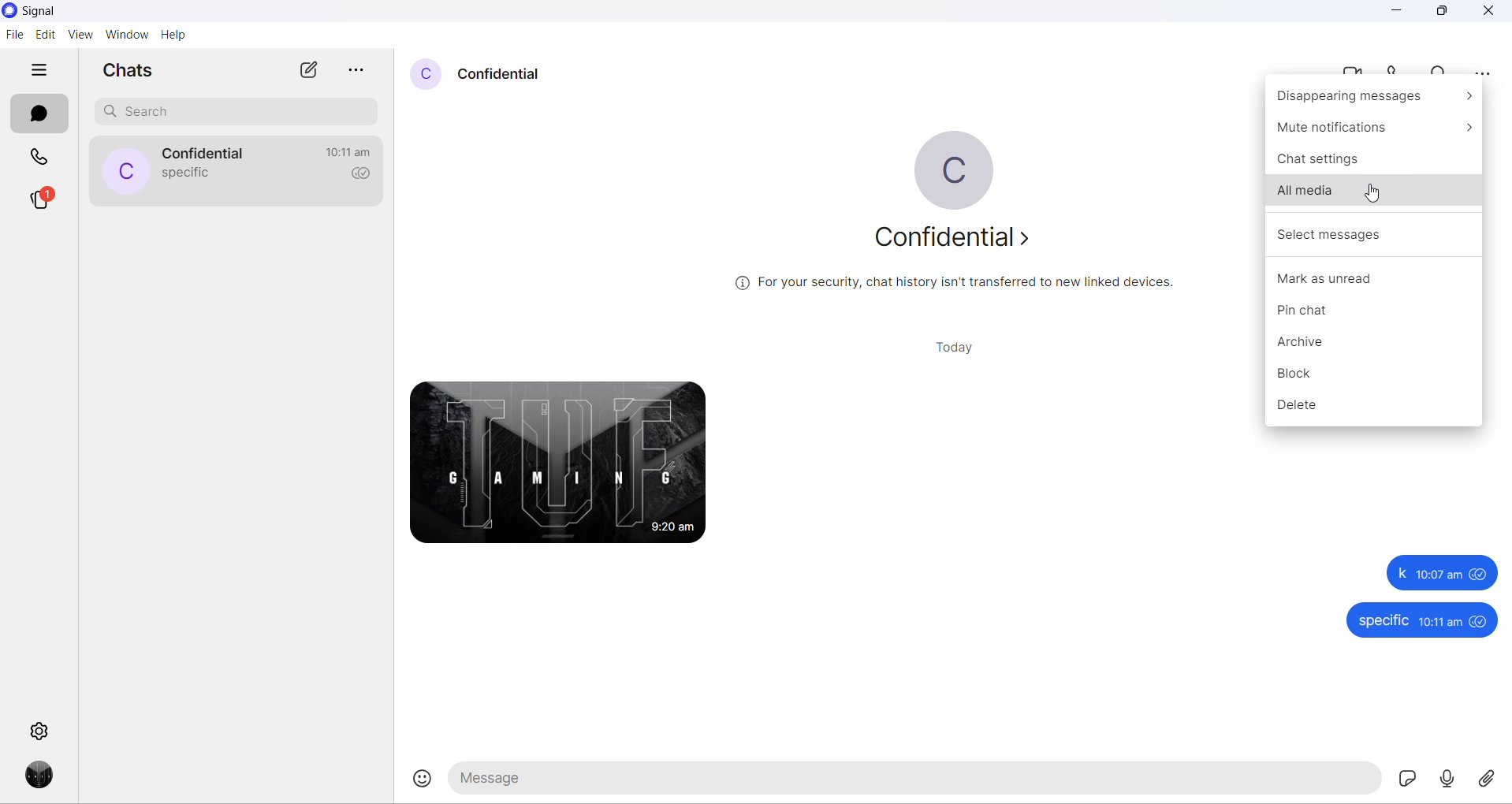 This screenshot has width=1512, height=804. What do you see at coordinates (14, 35) in the screenshot?
I see `file` at bounding box center [14, 35].